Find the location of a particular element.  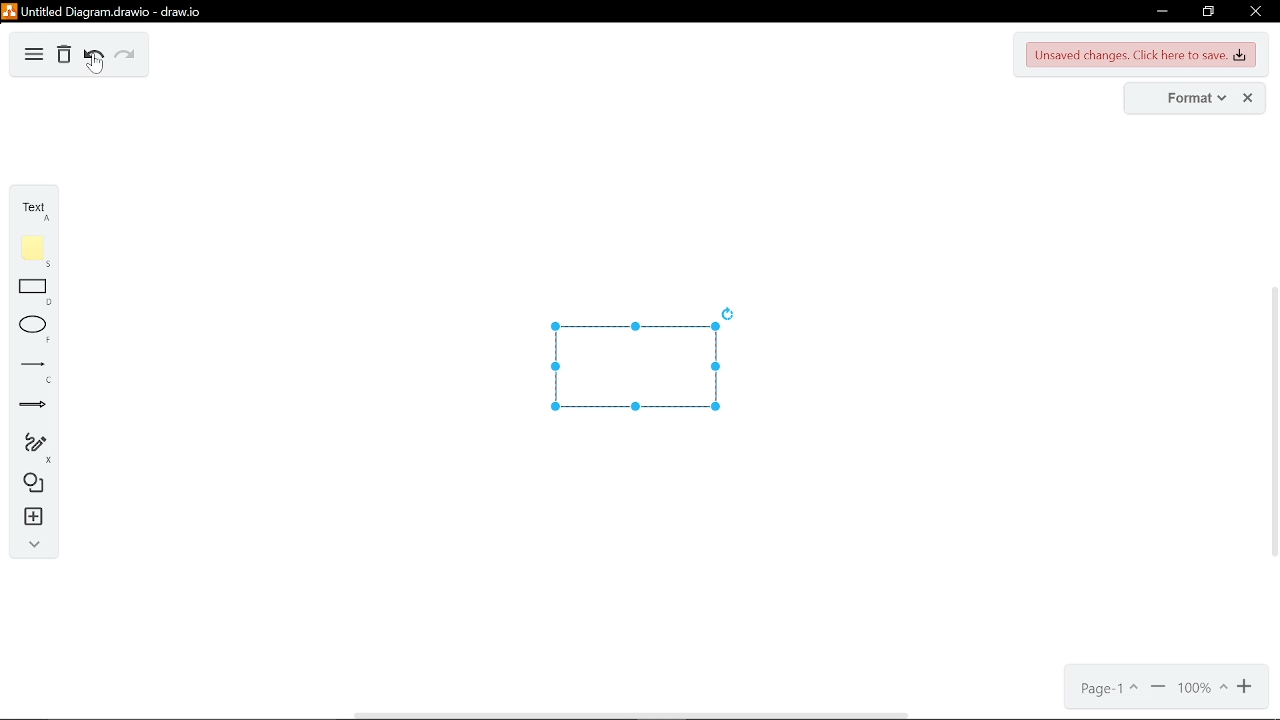

undo is located at coordinates (94, 55).